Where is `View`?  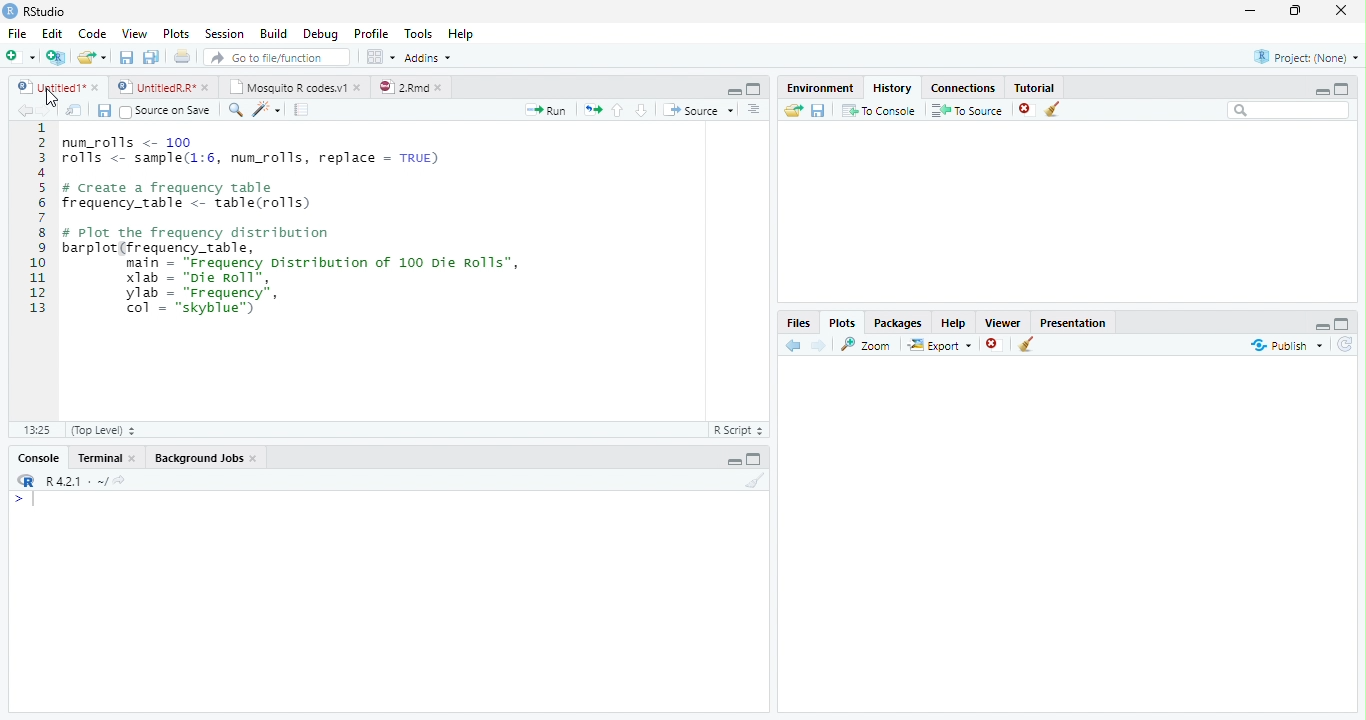
View is located at coordinates (135, 32).